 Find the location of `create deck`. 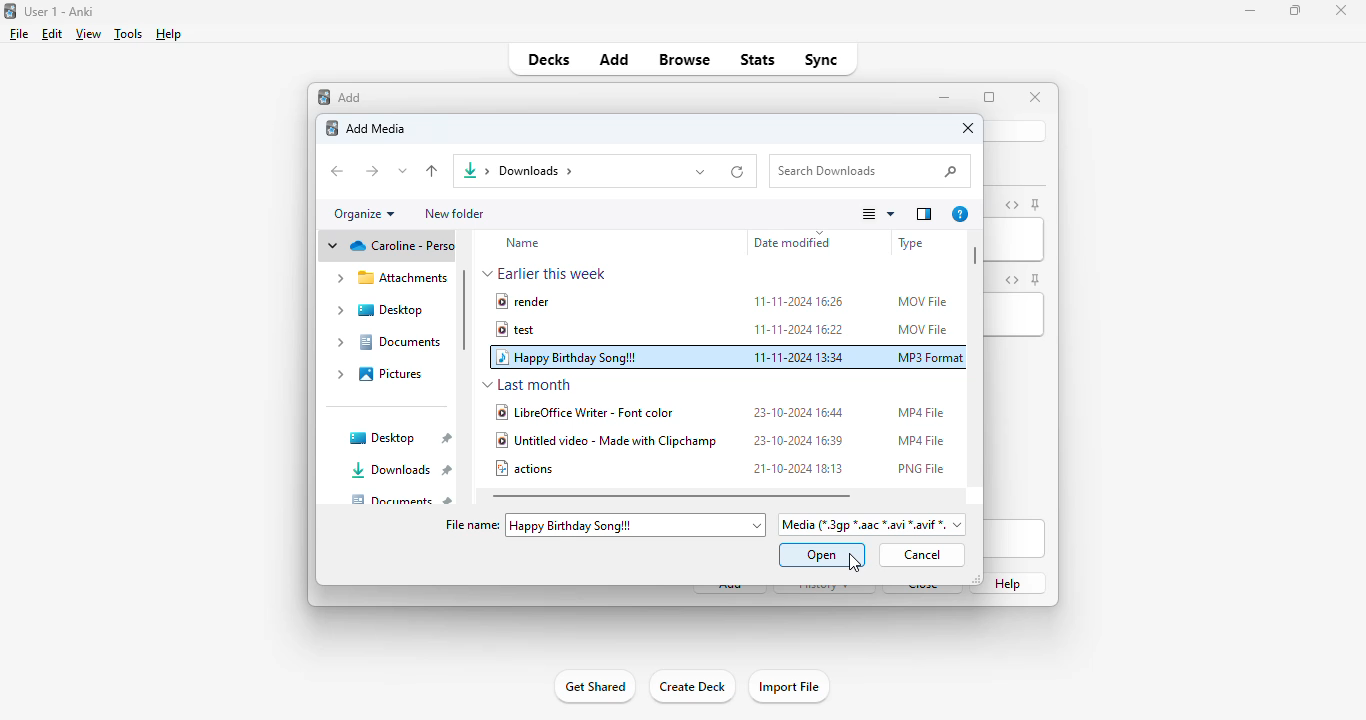

create deck is located at coordinates (691, 687).